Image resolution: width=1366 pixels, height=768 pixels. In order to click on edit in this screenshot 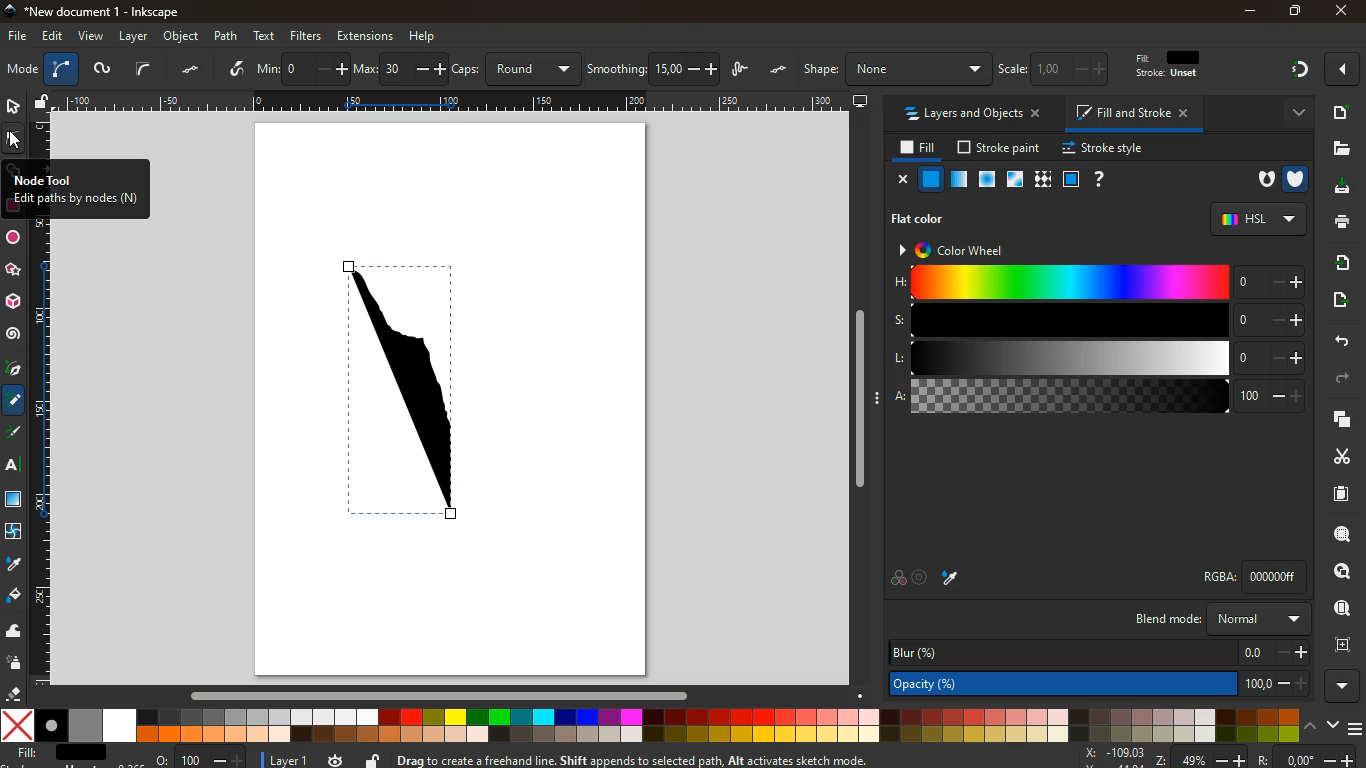, I will do `click(1060, 69)`.